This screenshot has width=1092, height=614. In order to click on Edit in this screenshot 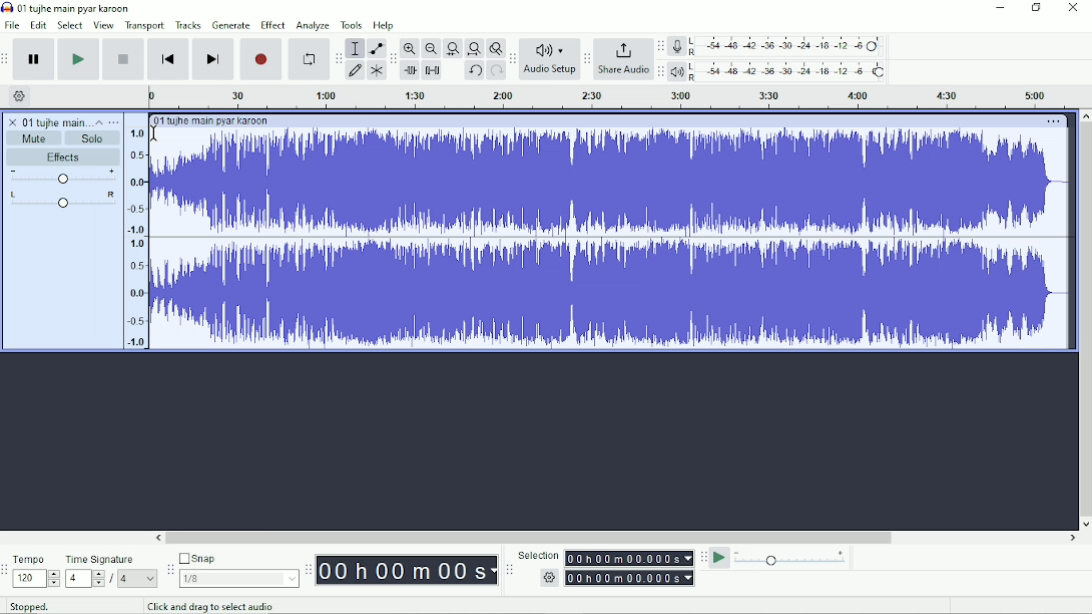, I will do `click(39, 26)`.